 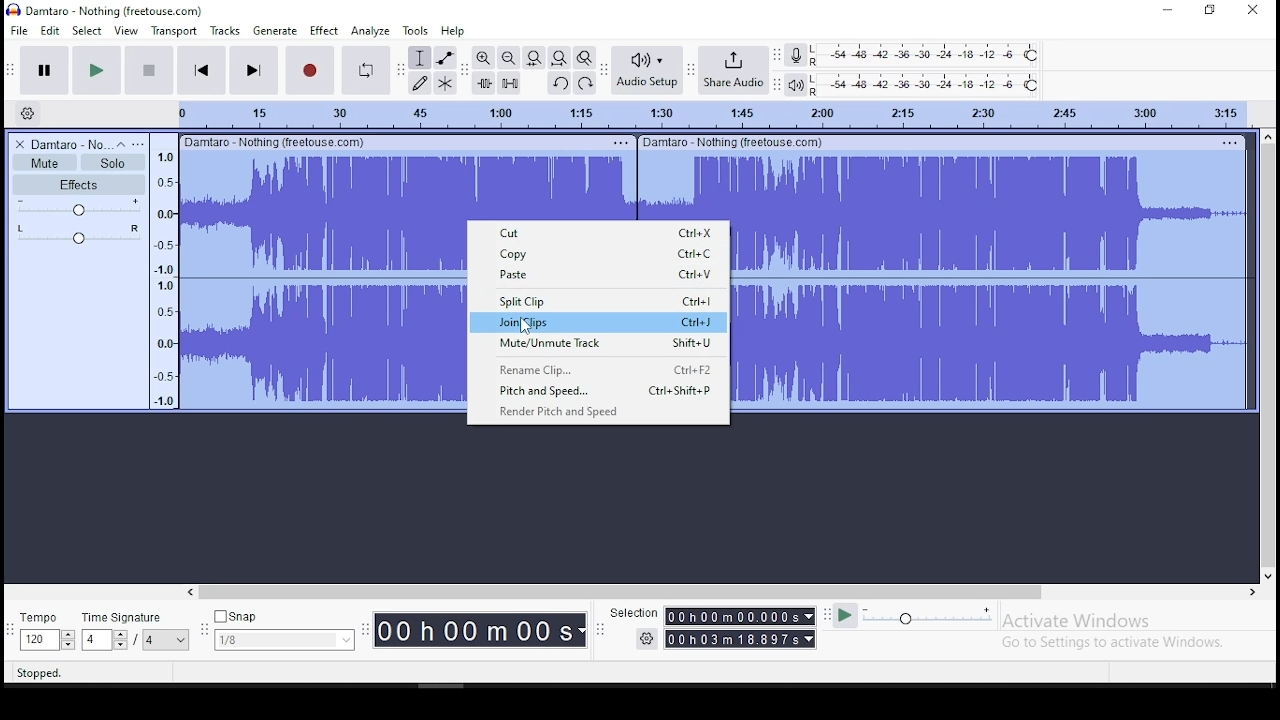 What do you see at coordinates (620, 143) in the screenshot?
I see `menu` at bounding box center [620, 143].